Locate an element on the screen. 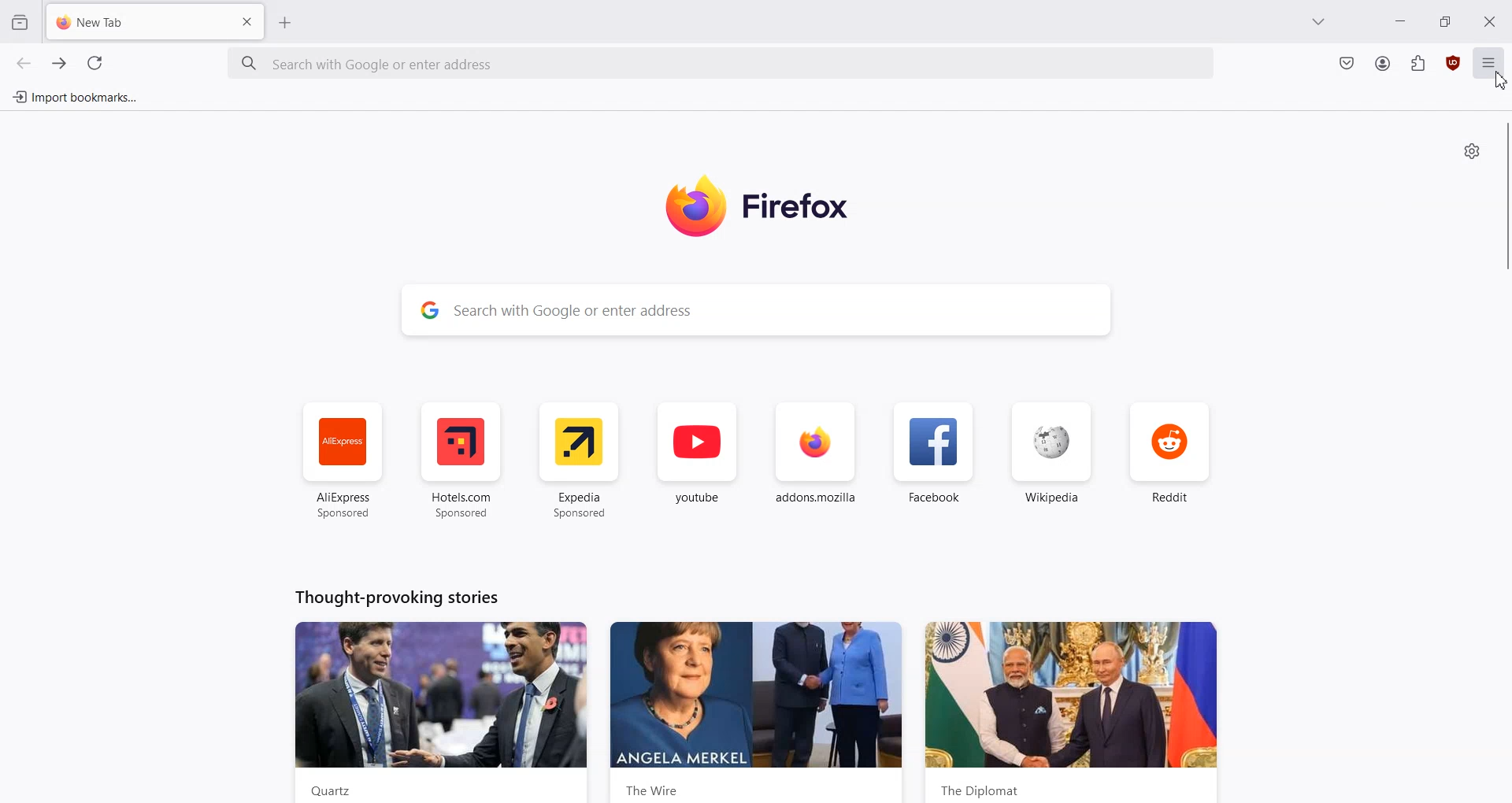  News is located at coordinates (442, 712).